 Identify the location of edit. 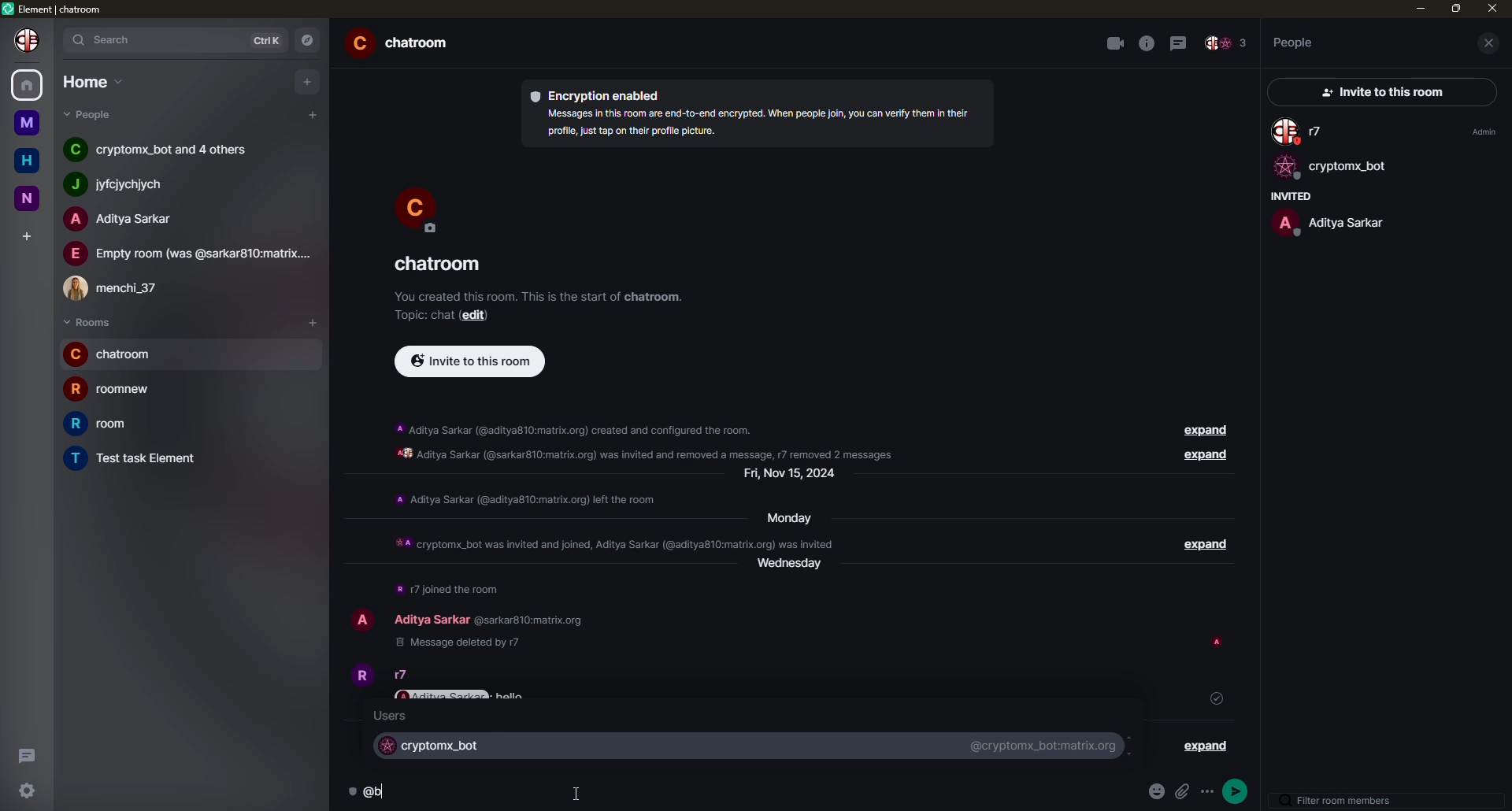
(473, 316).